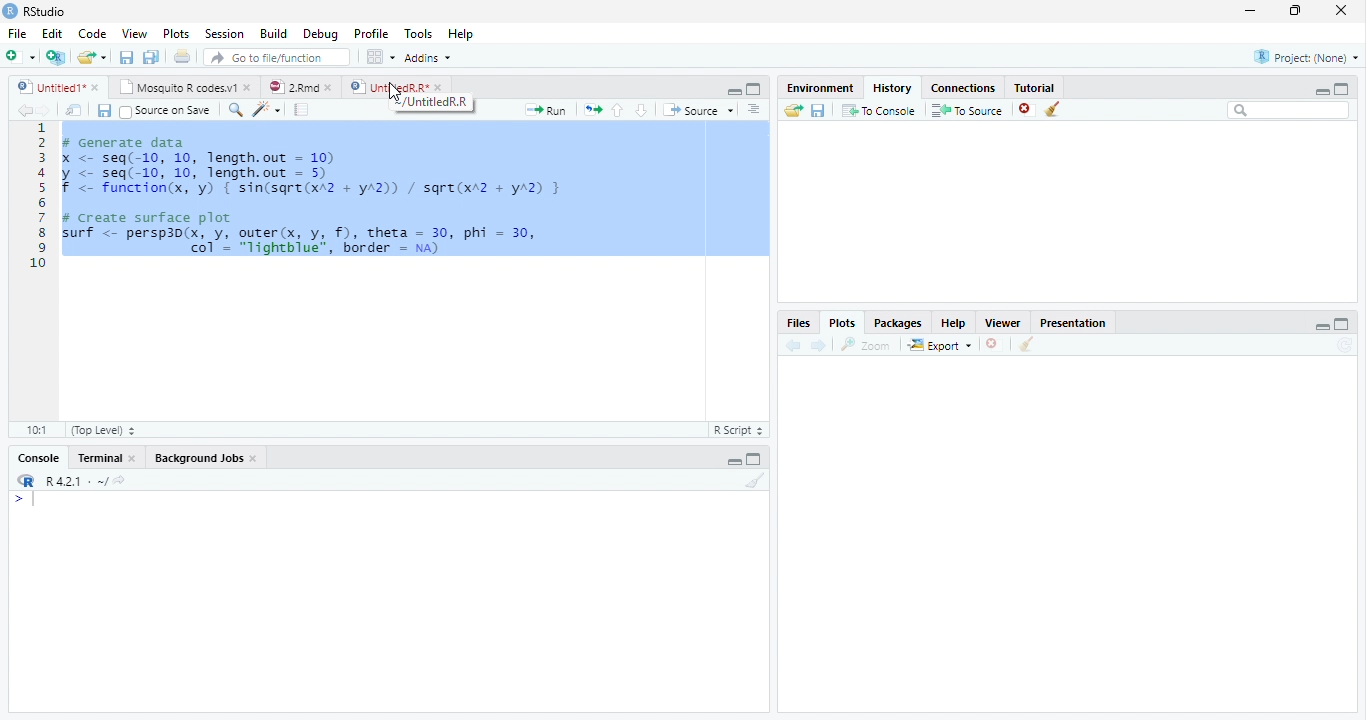  I want to click on To Source, so click(966, 110).